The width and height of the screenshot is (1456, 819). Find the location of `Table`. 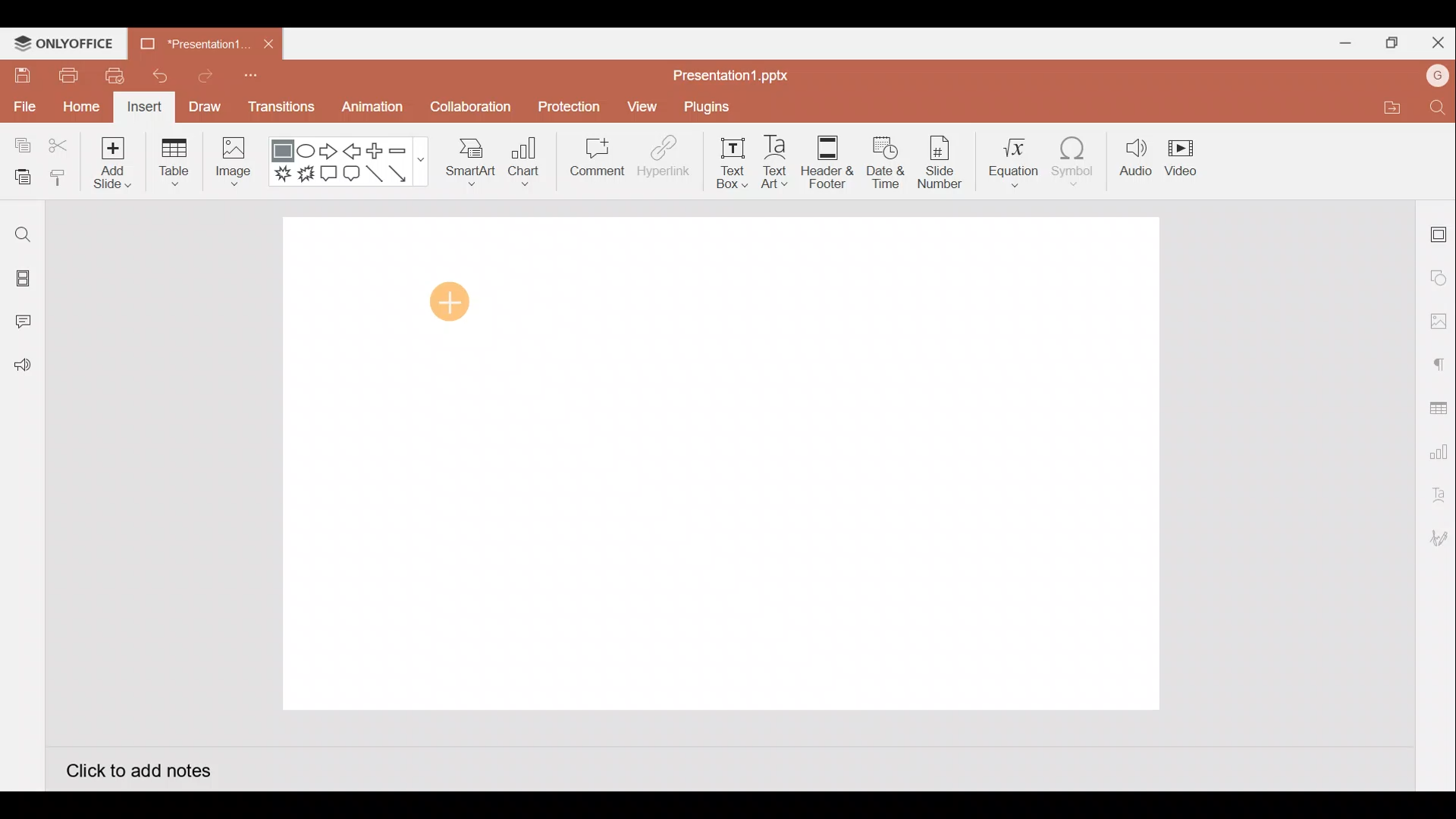

Table is located at coordinates (176, 164).